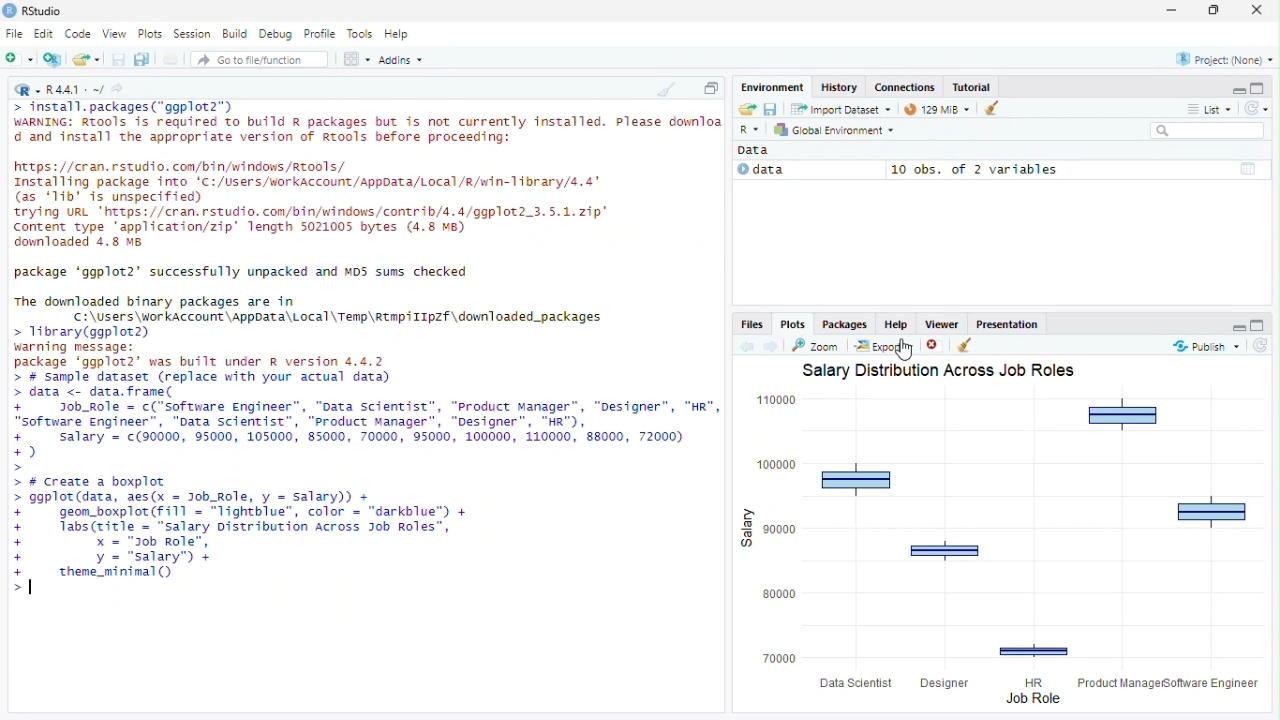 The height and width of the screenshot is (720, 1280). I want to click on Maximize, so click(710, 86).